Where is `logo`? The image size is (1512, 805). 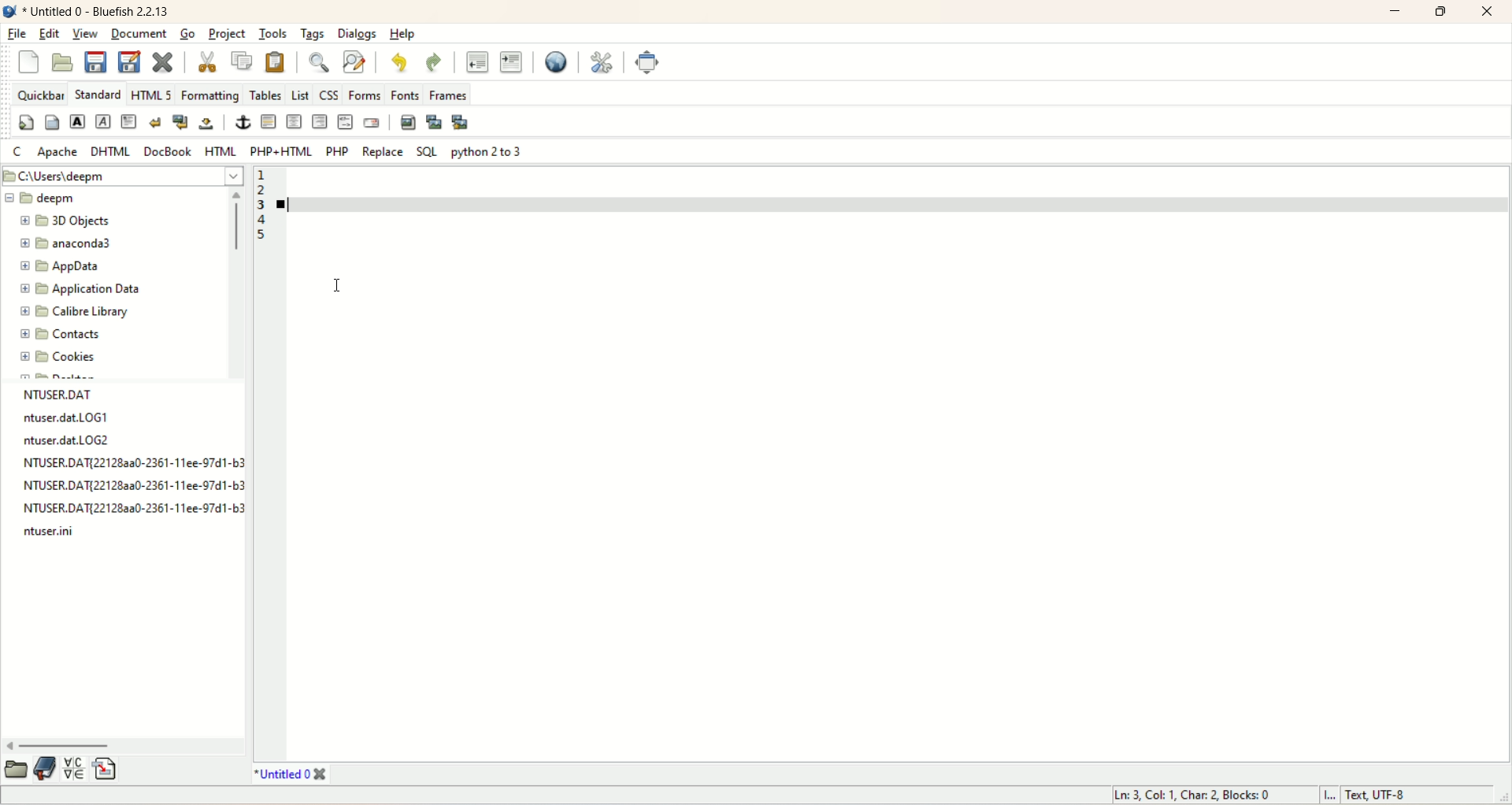 logo is located at coordinates (9, 11).